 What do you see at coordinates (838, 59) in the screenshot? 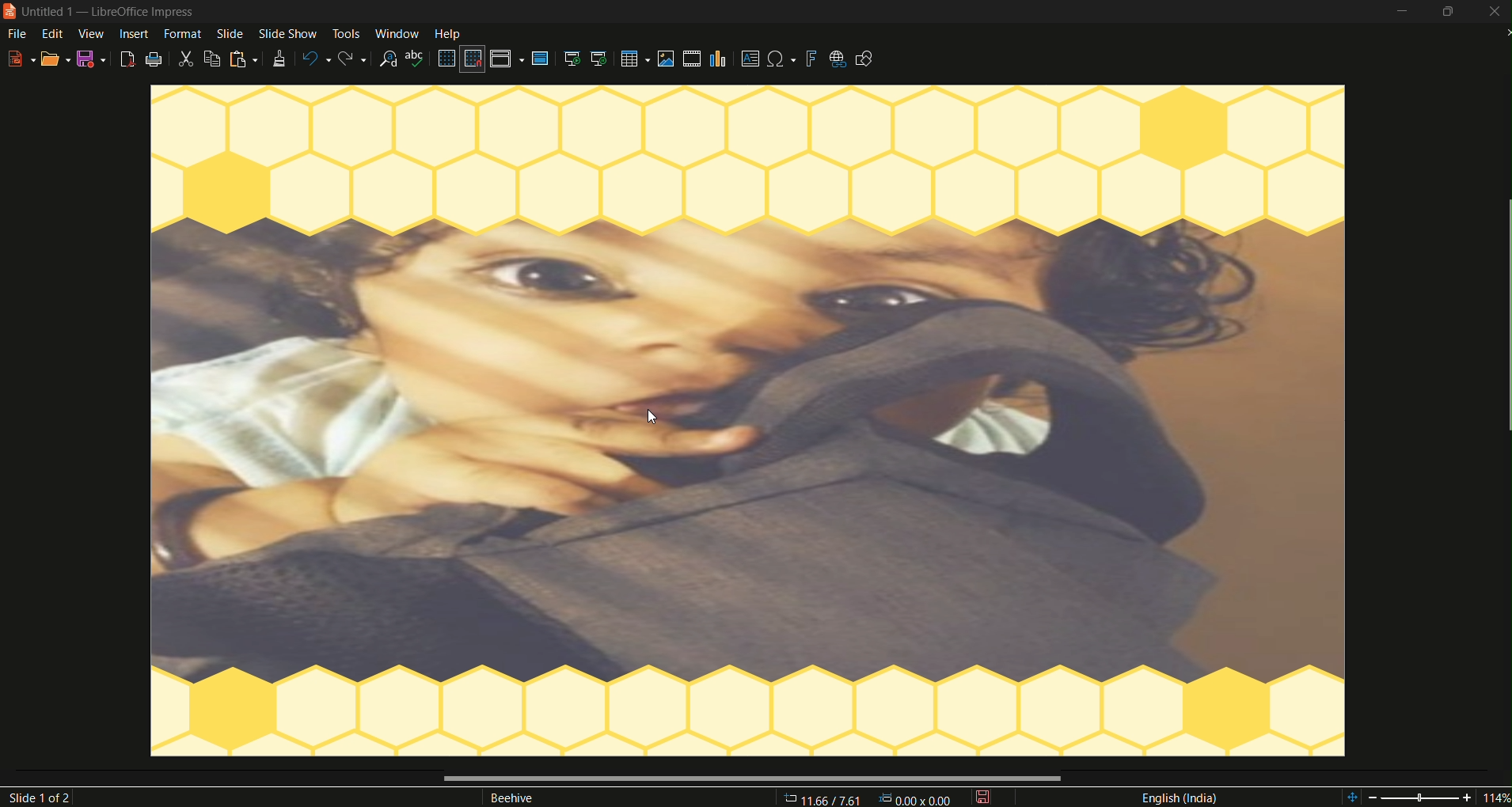
I see `insert hyperlink` at bounding box center [838, 59].